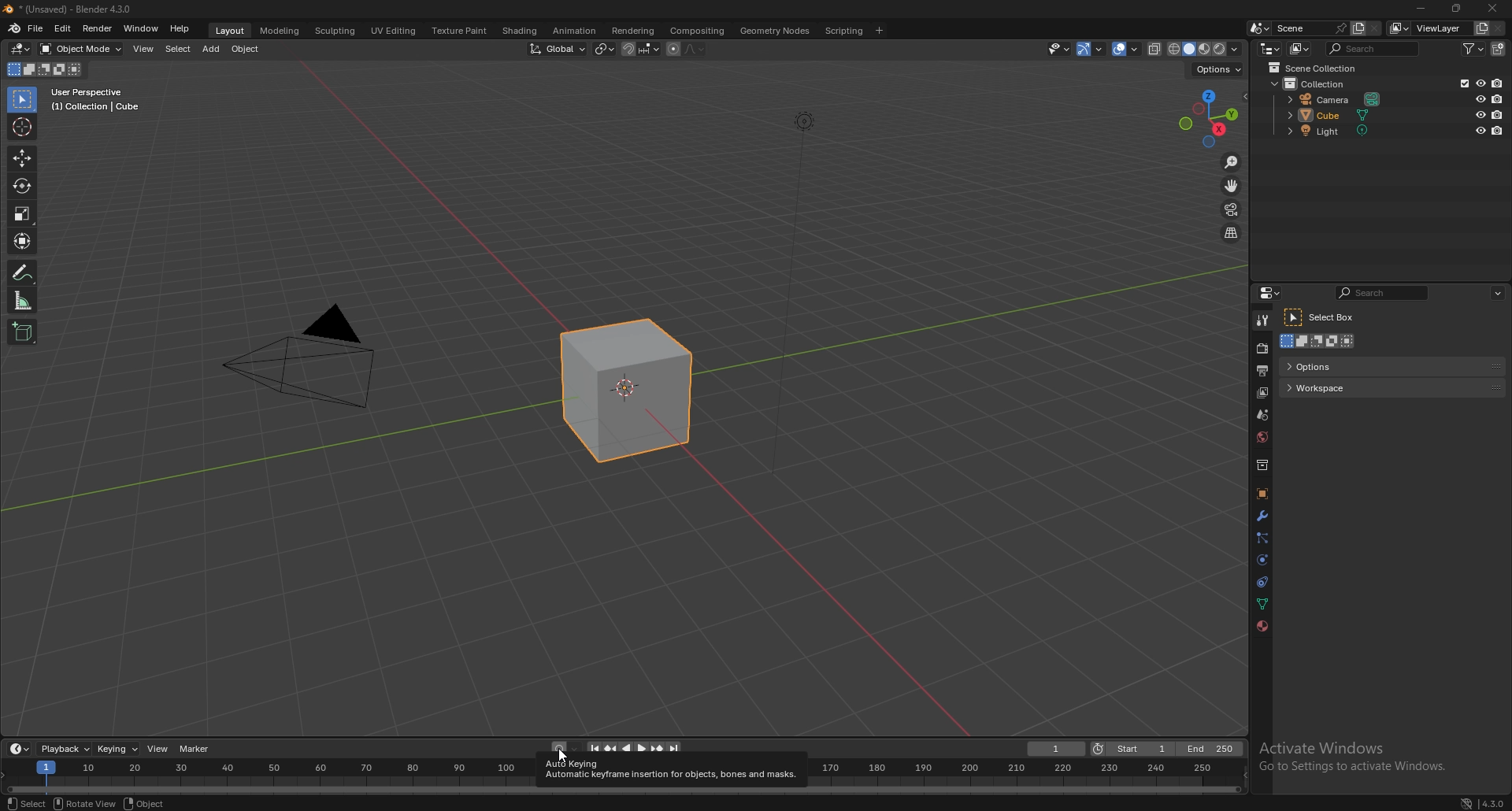 This screenshot has width=1512, height=811. What do you see at coordinates (1155, 49) in the screenshot?
I see `toggle xray` at bounding box center [1155, 49].